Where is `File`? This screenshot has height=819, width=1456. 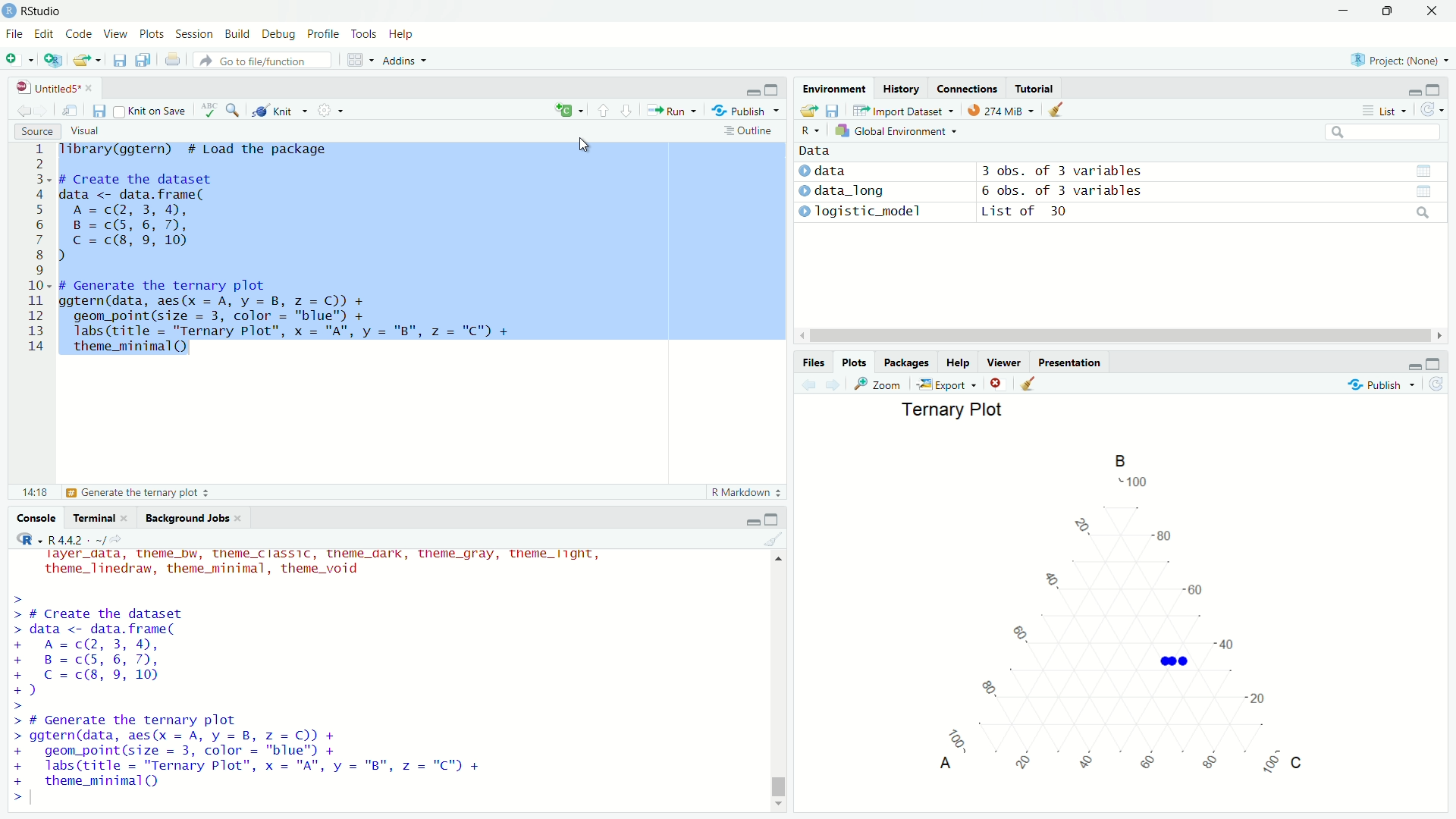 File is located at coordinates (16, 33).